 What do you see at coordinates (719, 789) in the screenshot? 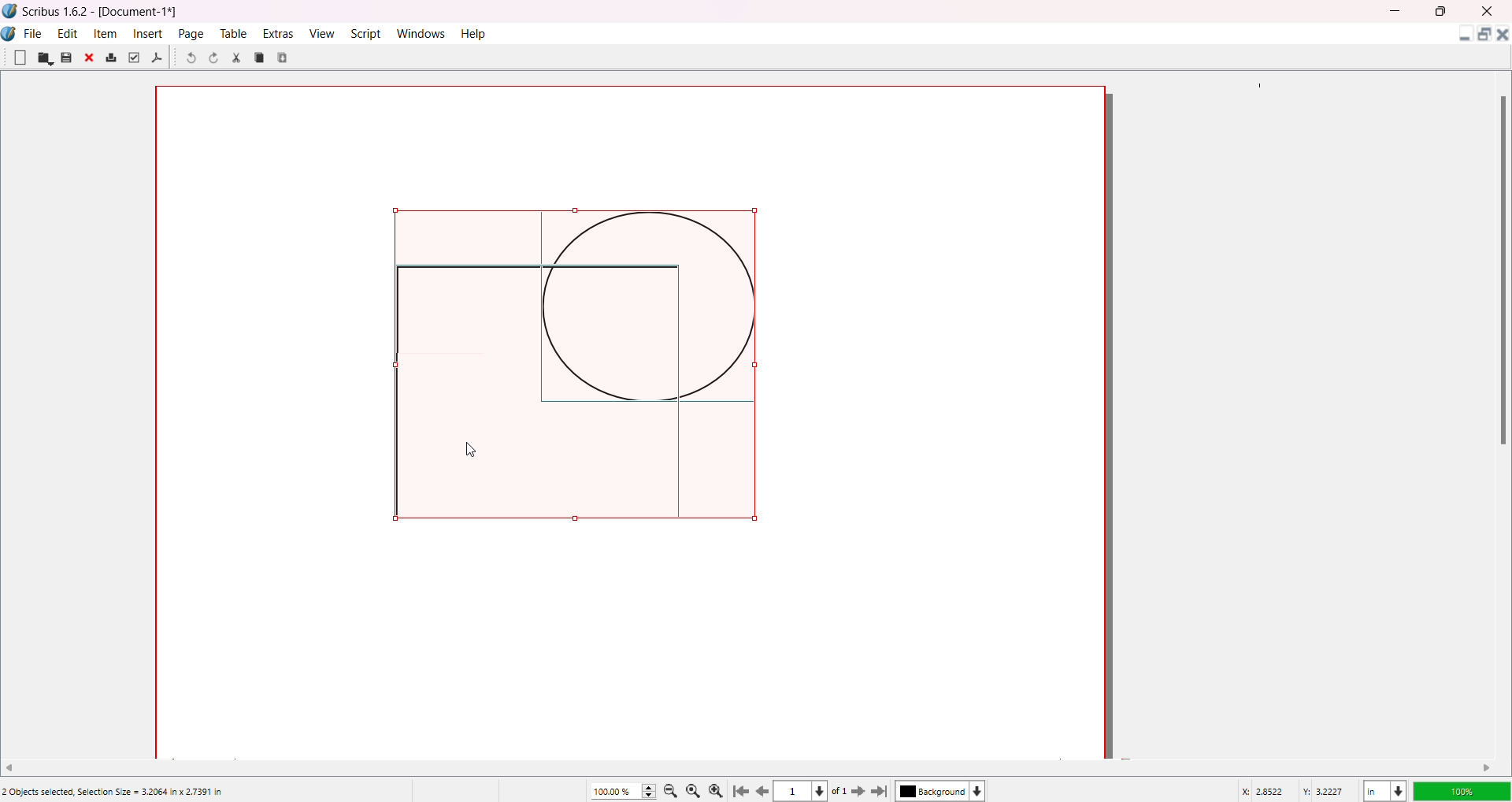
I see `Zoom in` at bounding box center [719, 789].